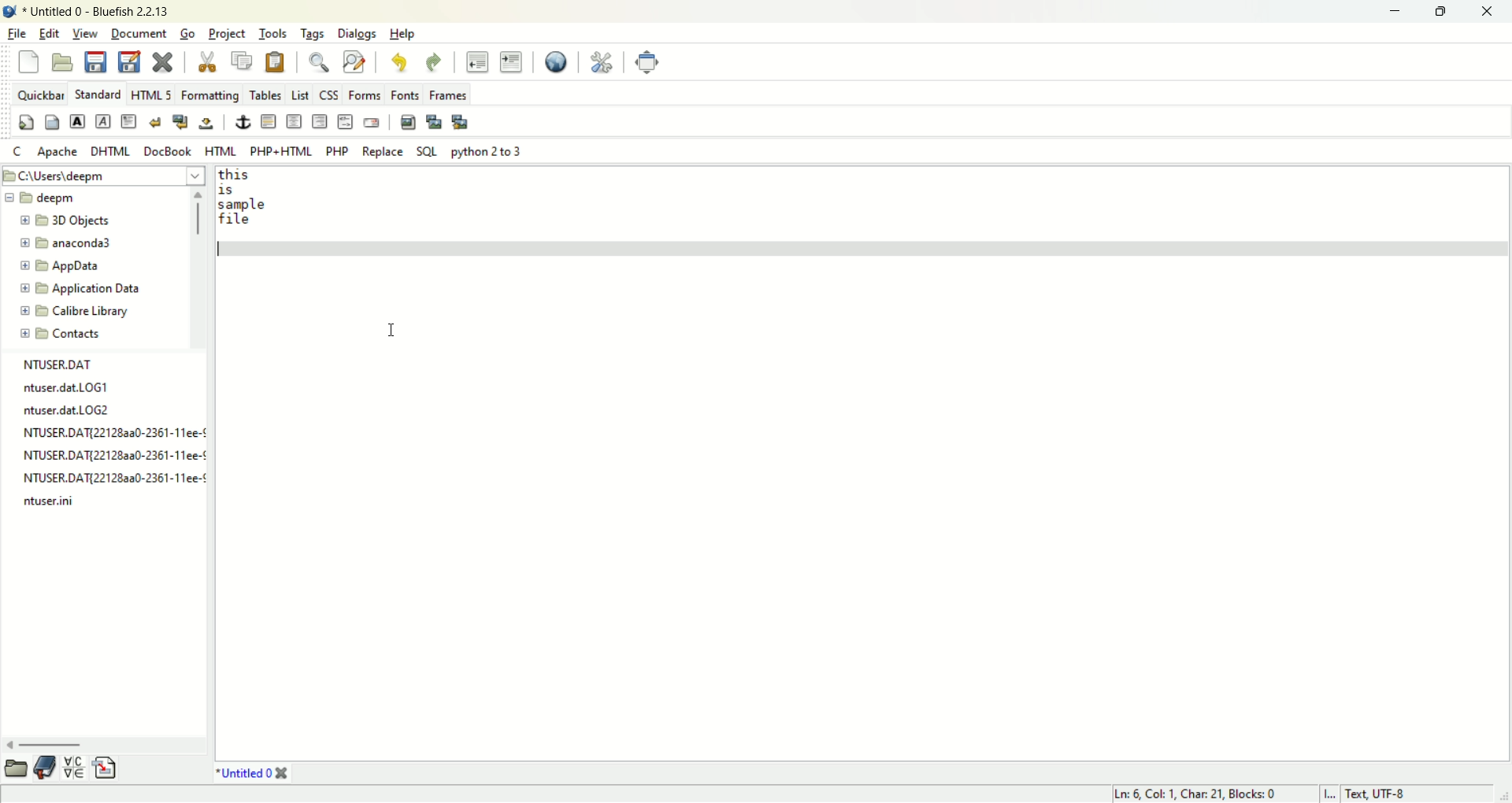  I want to click on SQL, so click(427, 151).